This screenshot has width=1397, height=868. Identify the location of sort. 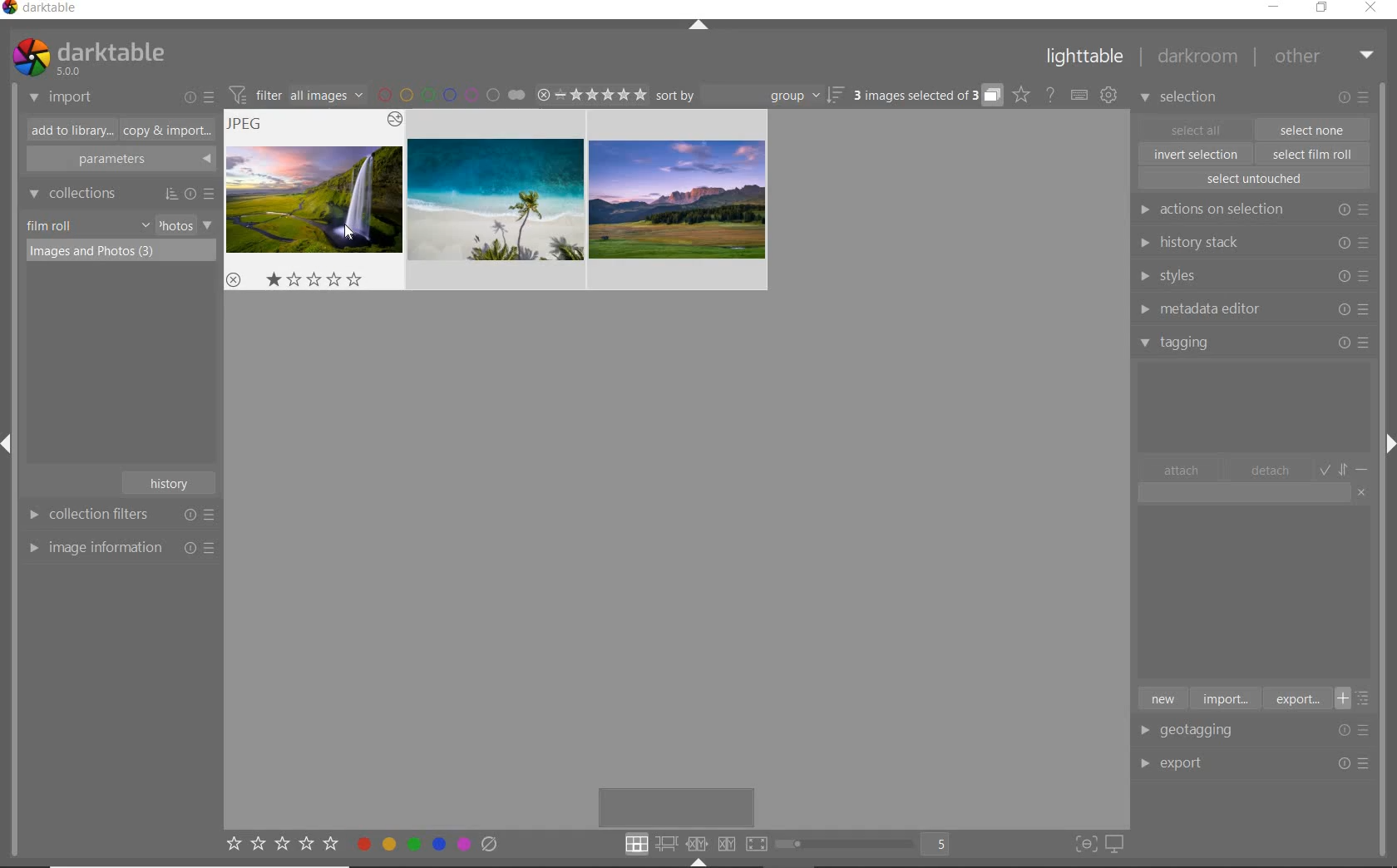
(750, 96).